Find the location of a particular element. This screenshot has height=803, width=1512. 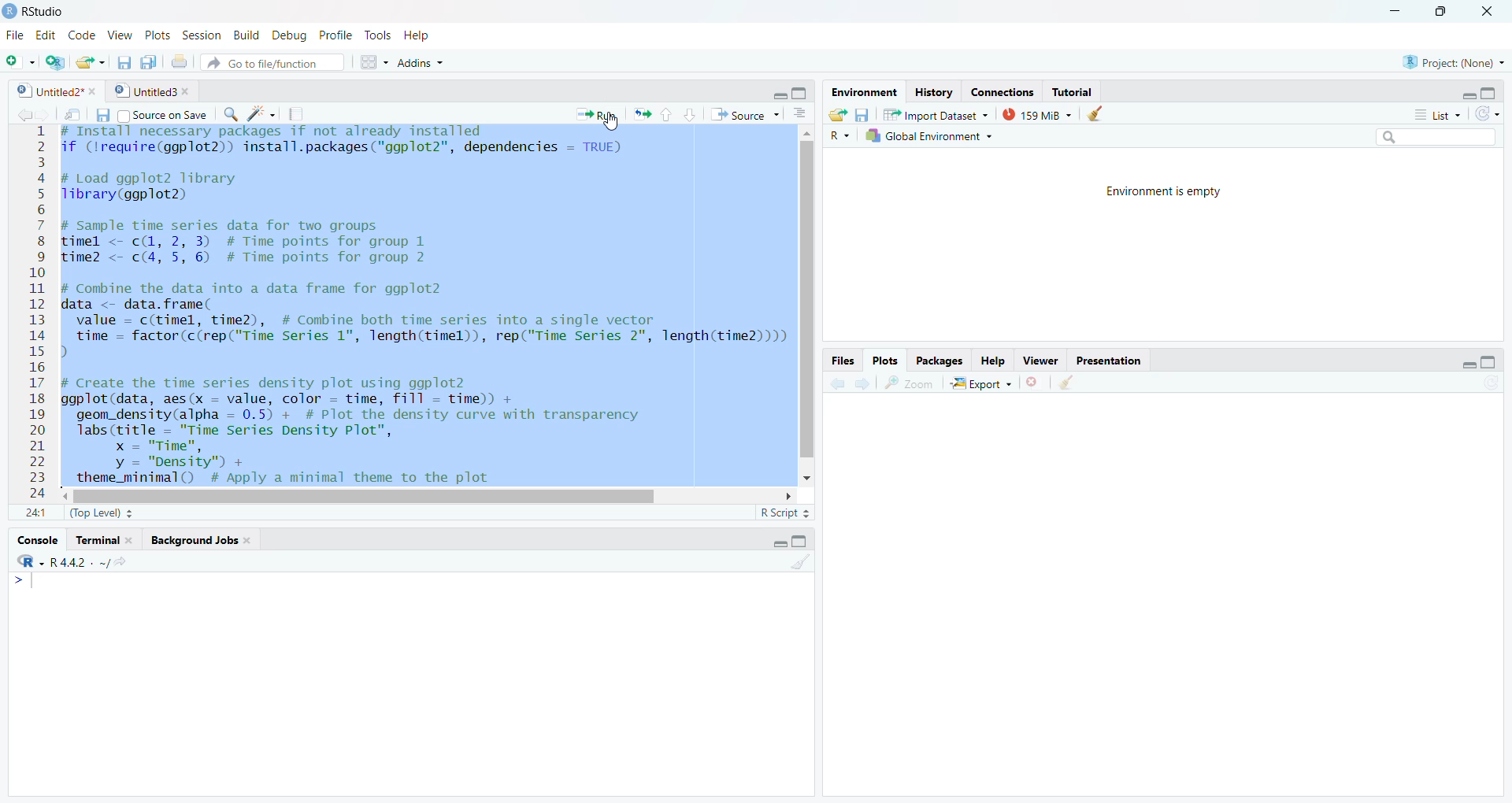

Build is located at coordinates (245, 35).